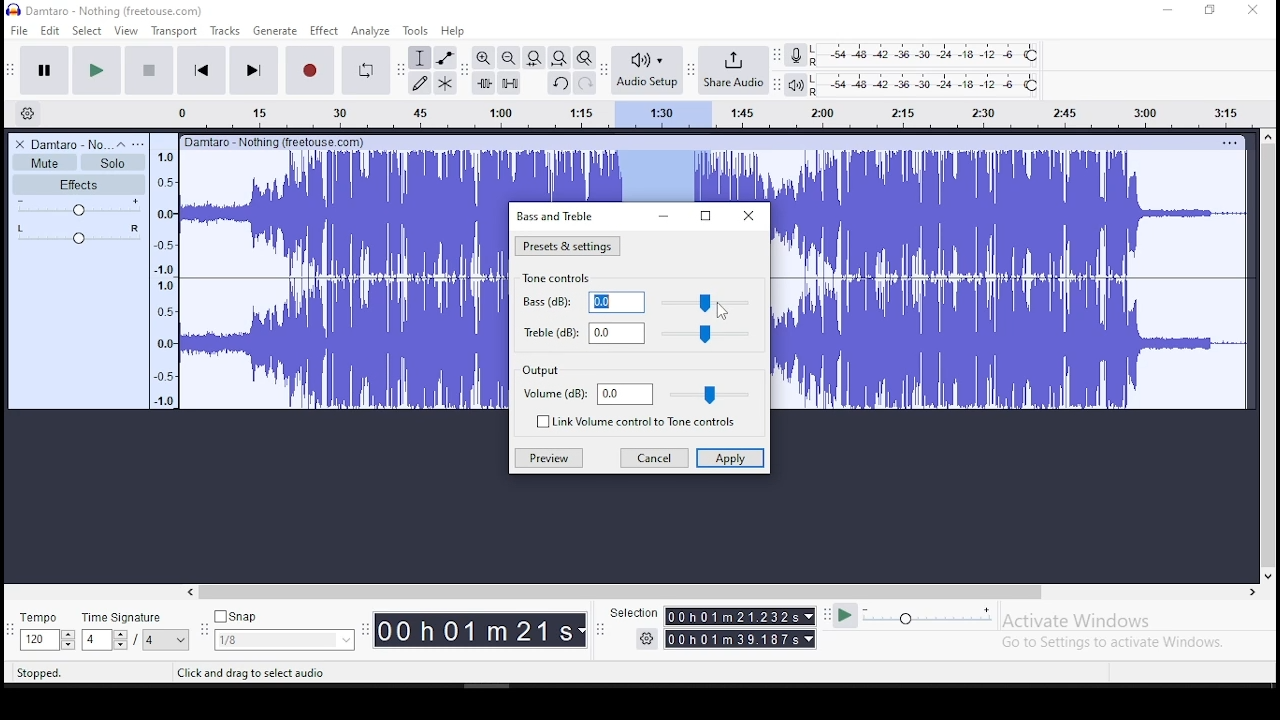 The image size is (1280, 720). Describe the element at coordinates (253, 69) in the screenshot. I see `skip to start` at that location.